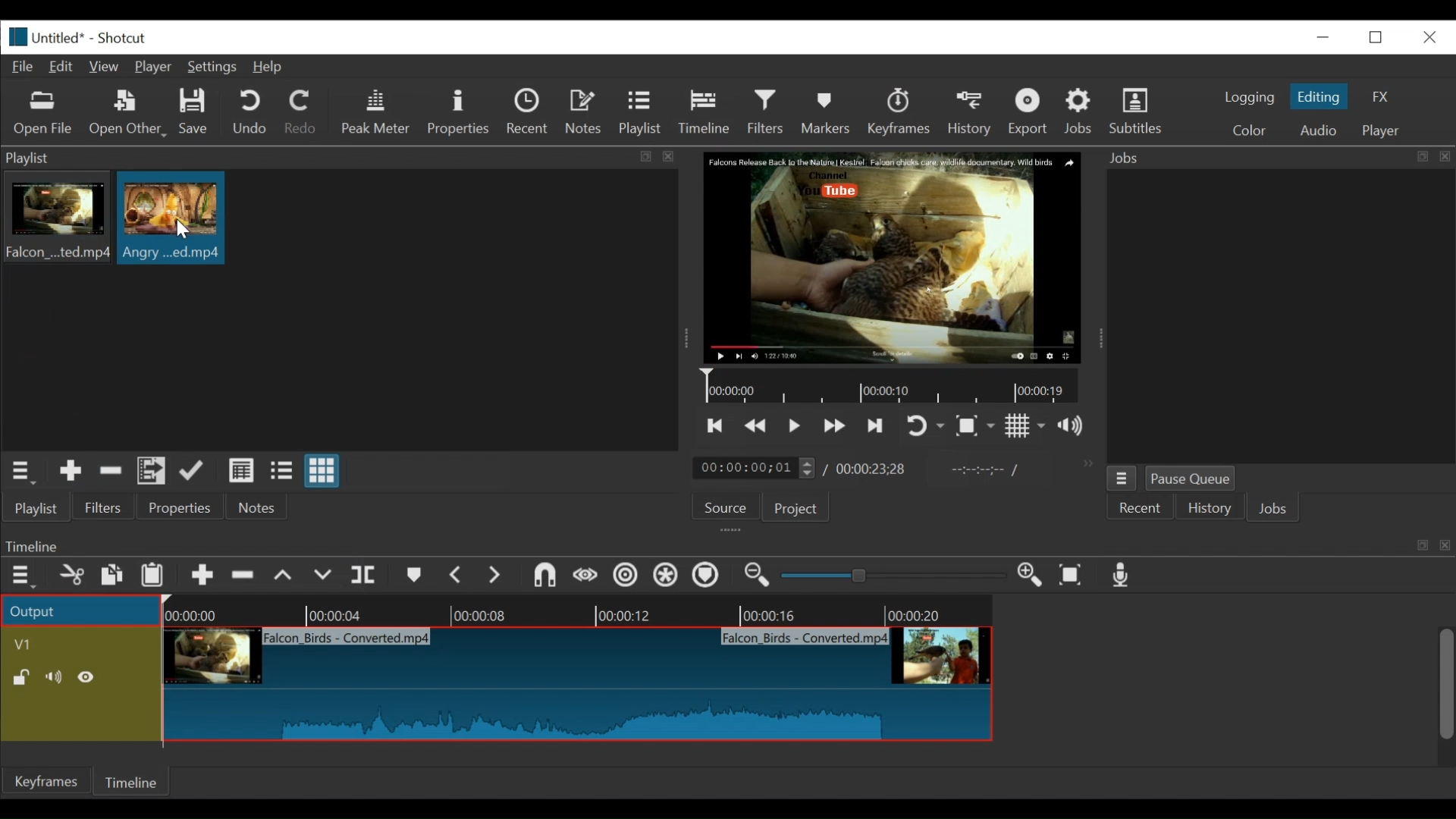 This screenshot has width=1456, height=819. Describe the element at coordinates (111, 473) in the screenshot. I see `Remove cut` at that location.